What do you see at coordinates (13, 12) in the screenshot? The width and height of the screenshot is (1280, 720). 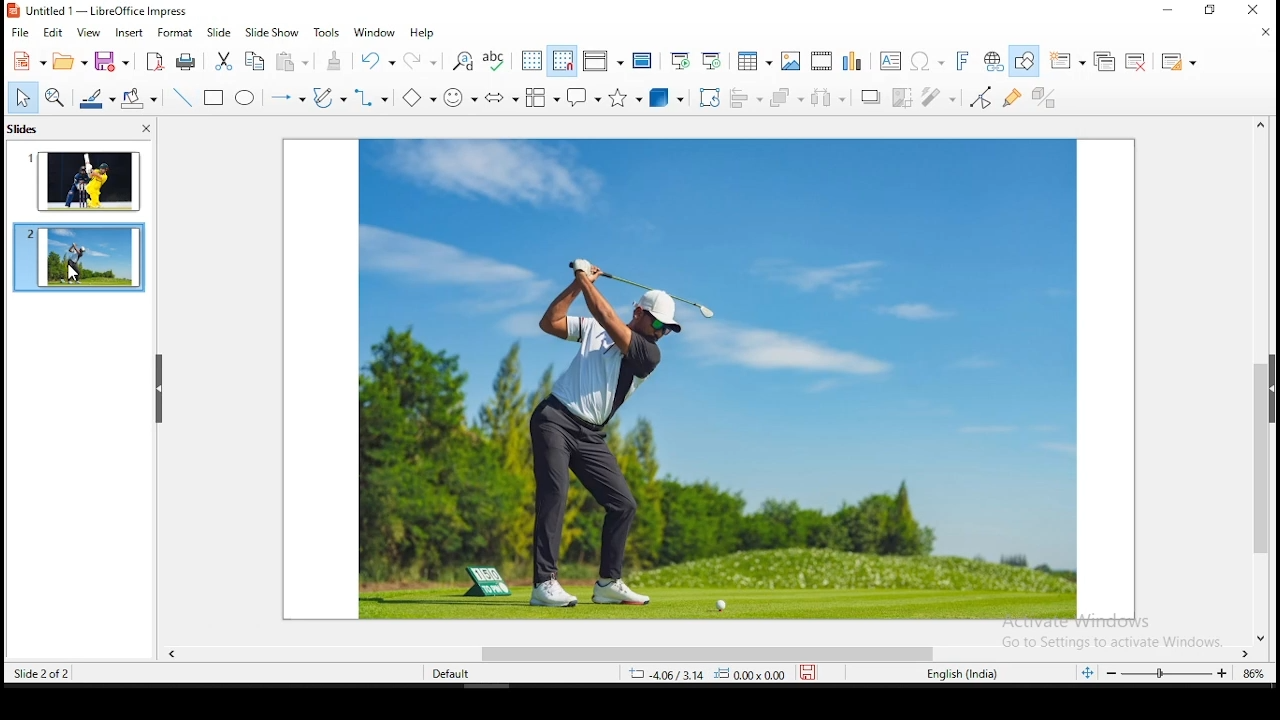 I see `icon ` at bounding box center [13, 12].